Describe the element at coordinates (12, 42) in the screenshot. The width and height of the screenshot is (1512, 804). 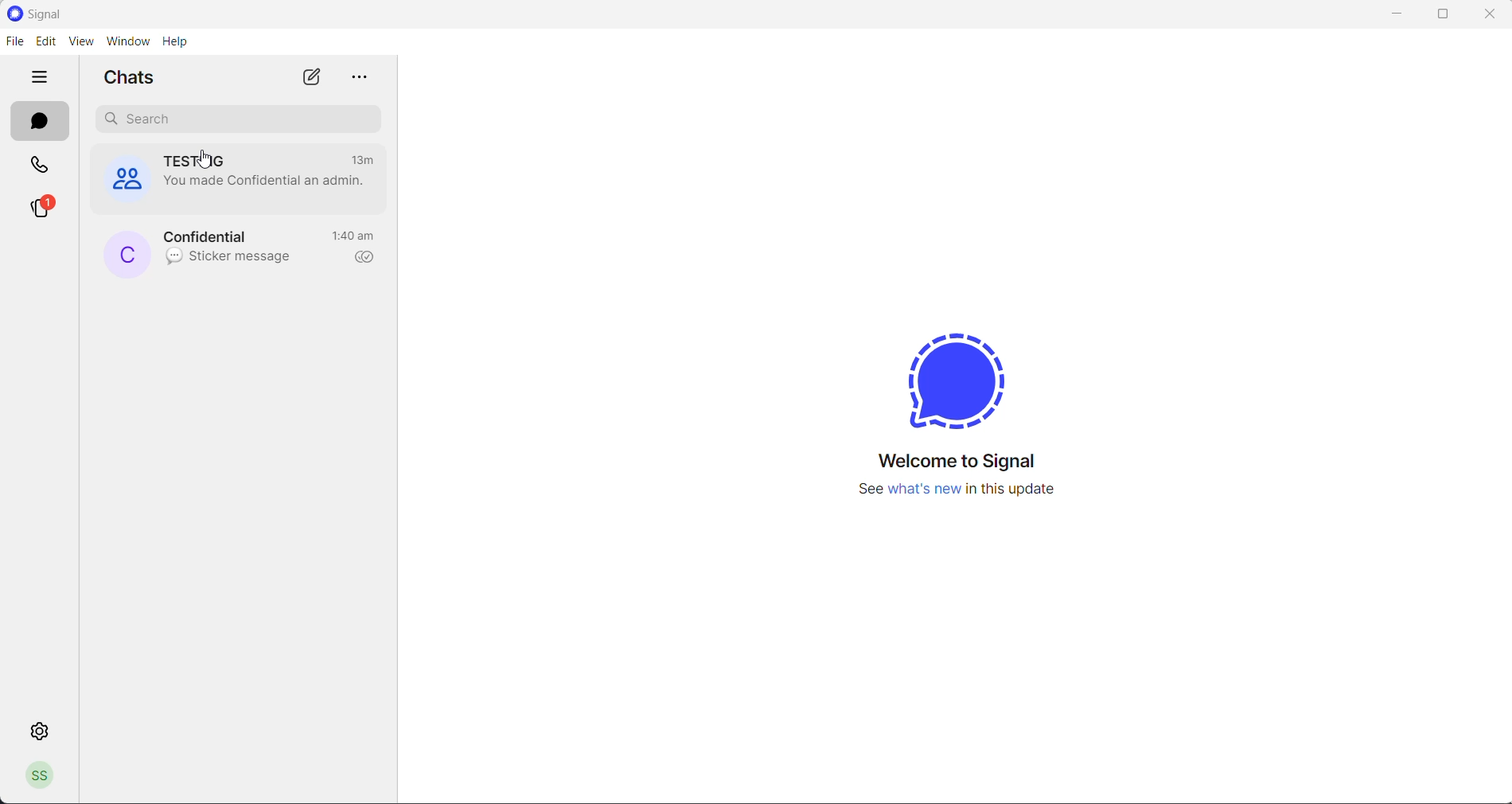
I see `file` at that location.